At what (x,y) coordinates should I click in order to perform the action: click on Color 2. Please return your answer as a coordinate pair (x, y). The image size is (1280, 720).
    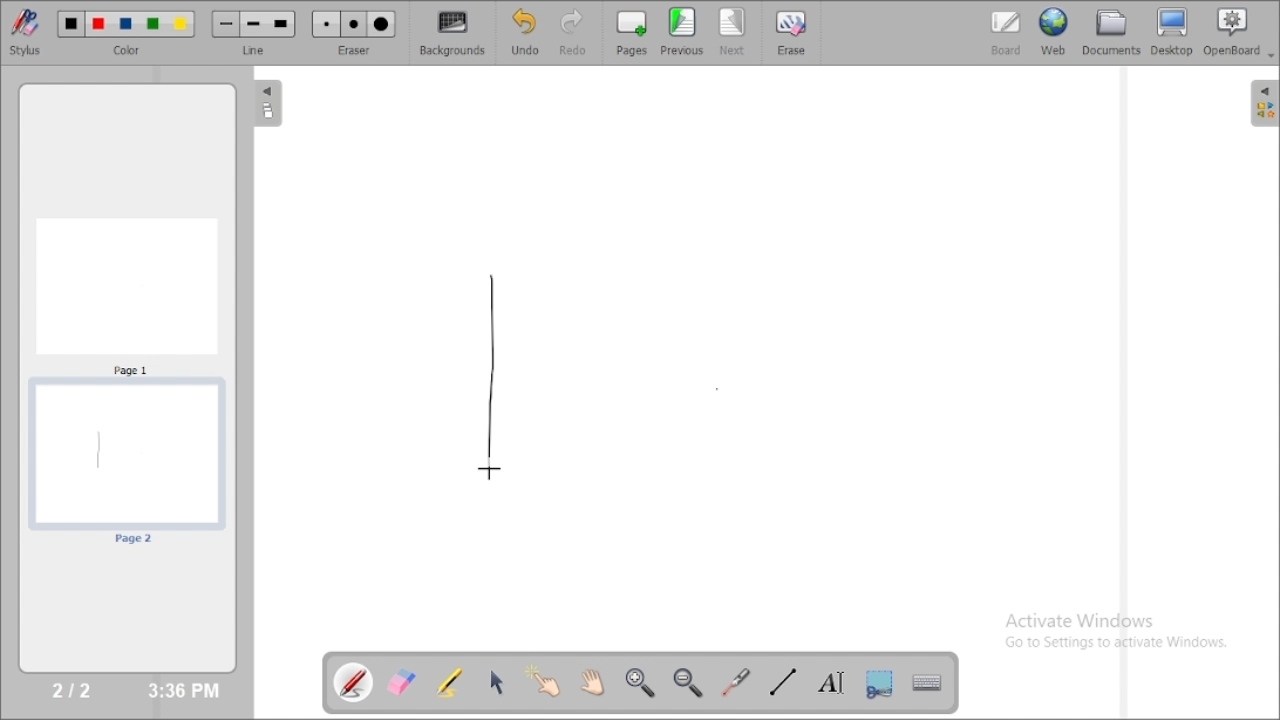
    Looking at the image, I should click on (99, 25).